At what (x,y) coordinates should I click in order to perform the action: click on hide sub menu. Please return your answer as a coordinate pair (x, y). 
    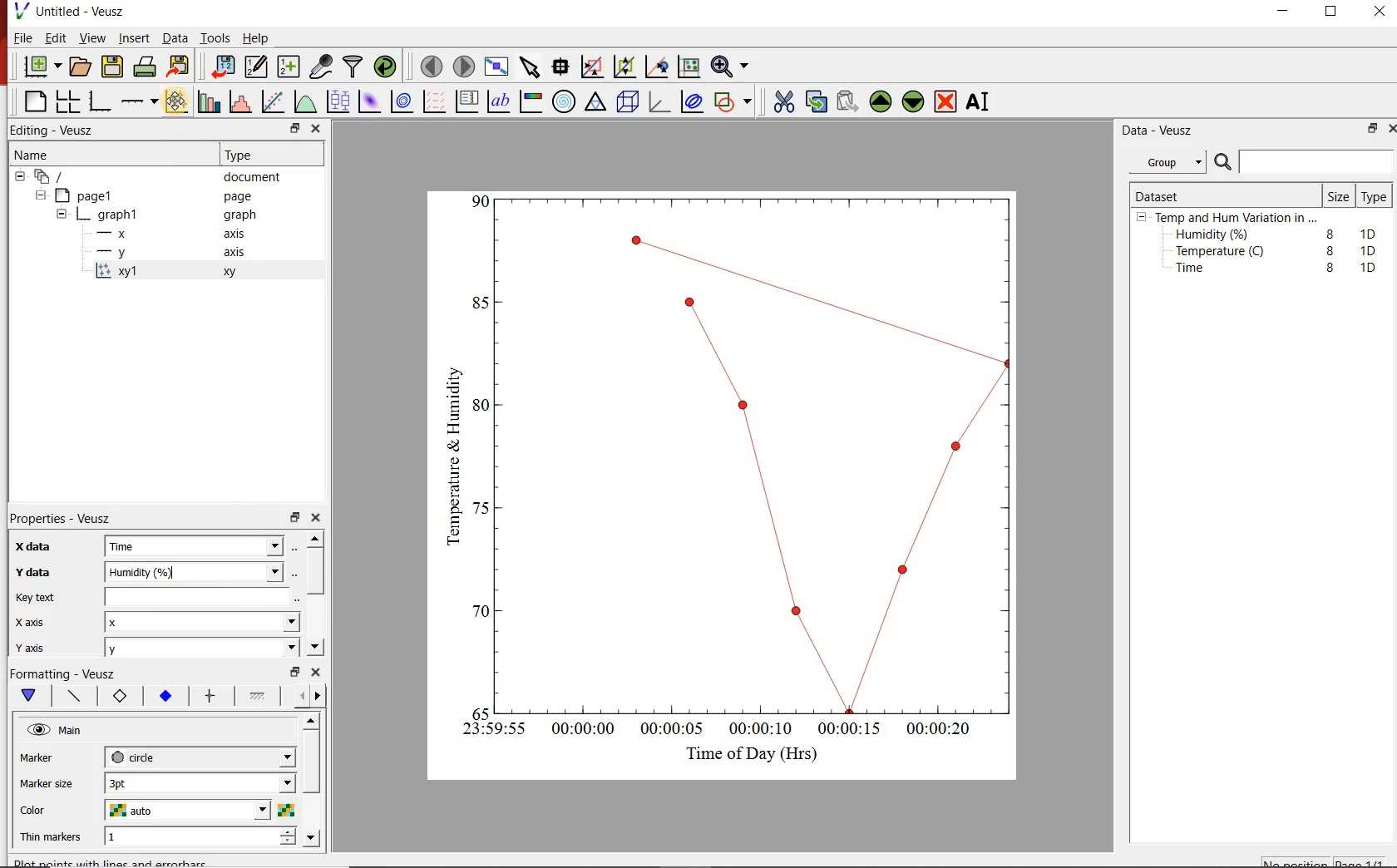
    Looking at the image, I should click on (43, 197).